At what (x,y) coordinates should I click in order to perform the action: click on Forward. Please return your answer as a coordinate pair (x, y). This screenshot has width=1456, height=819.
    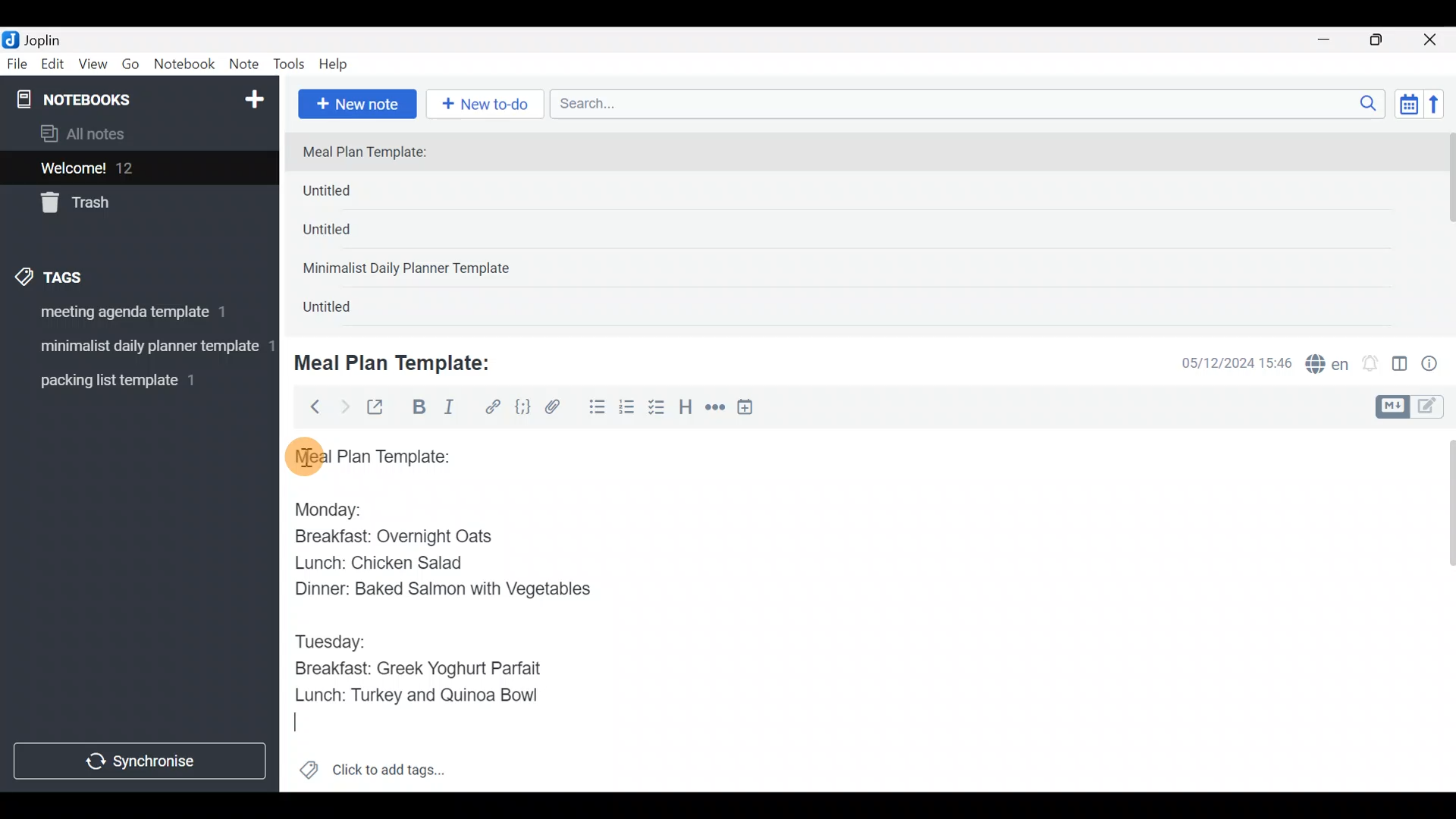
    Looking at the image, I should click on (344, 406).